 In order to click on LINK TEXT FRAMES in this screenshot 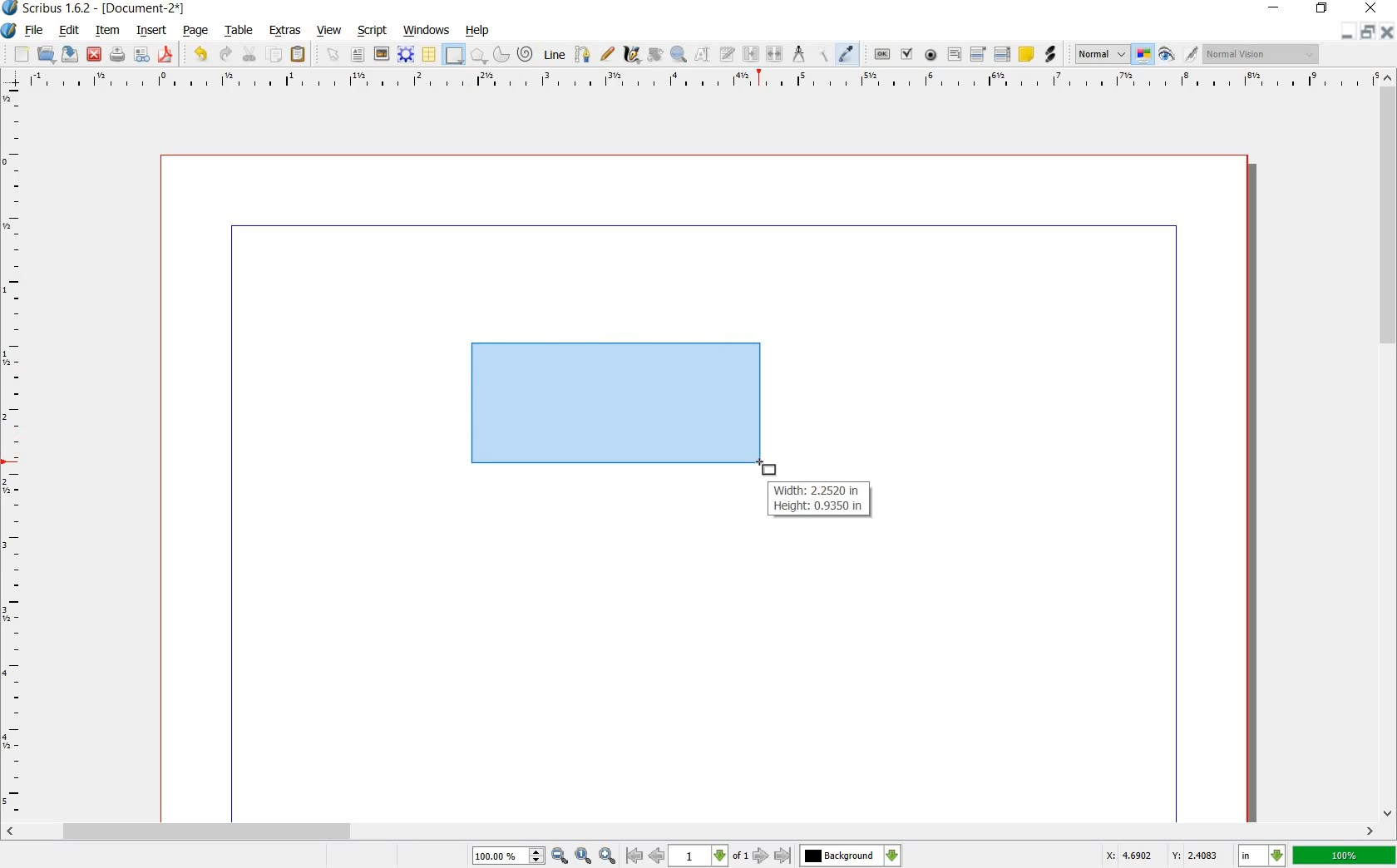, I will do `click(751, 55)`.